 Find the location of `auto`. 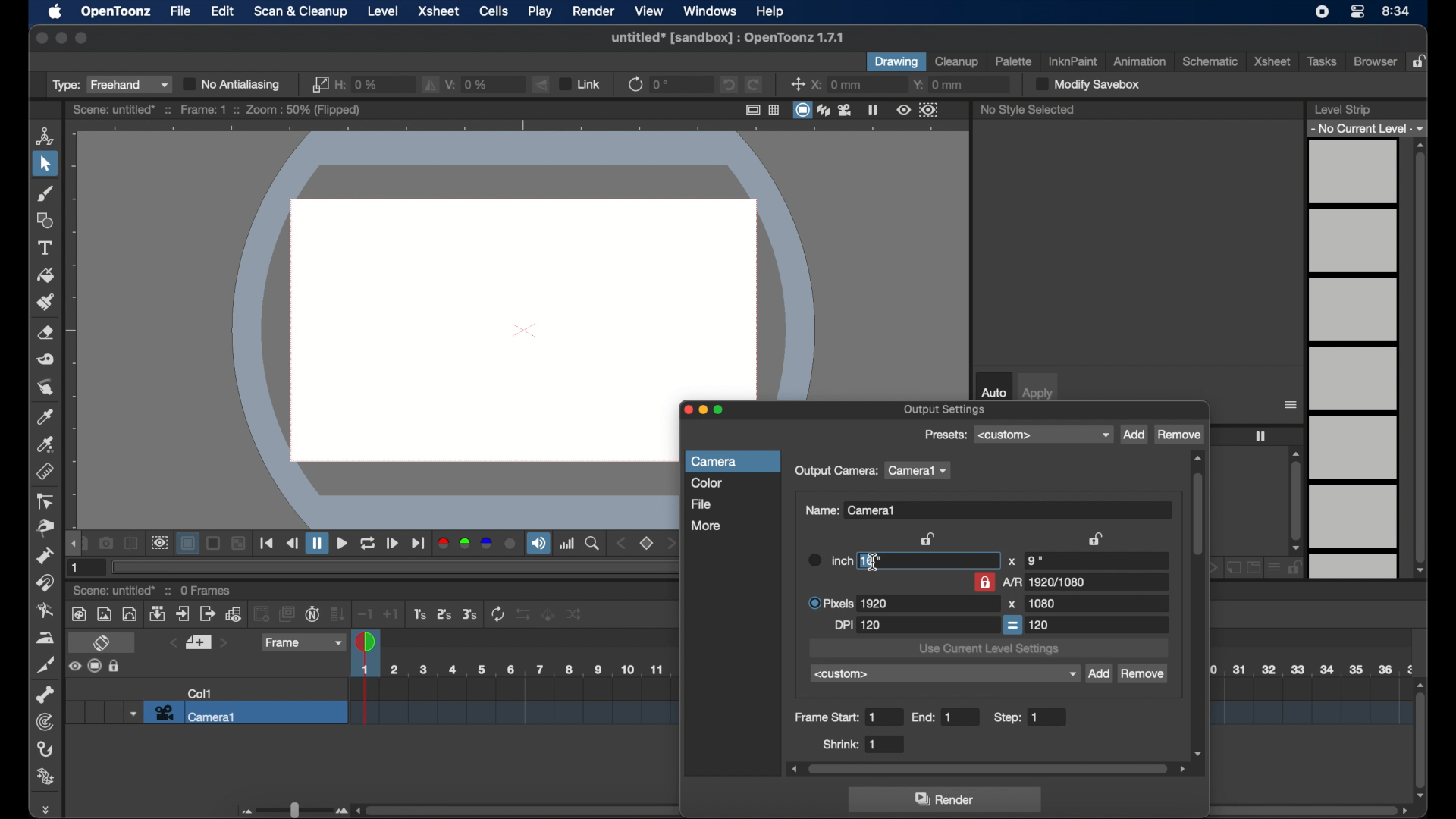

auto is located at coordinates (993, 392).